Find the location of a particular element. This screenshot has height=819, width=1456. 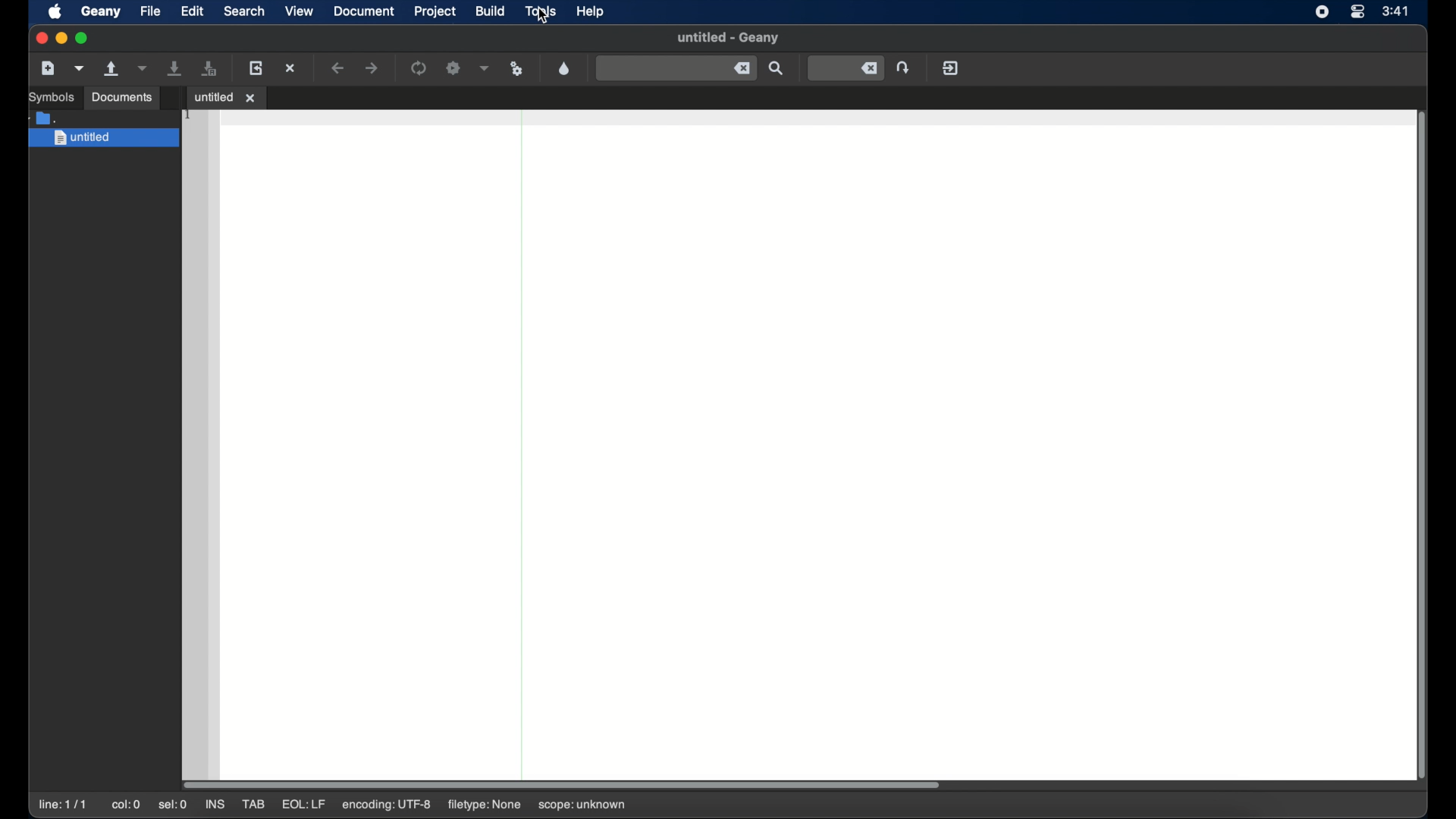

1 is located at coordinates (189, 115).